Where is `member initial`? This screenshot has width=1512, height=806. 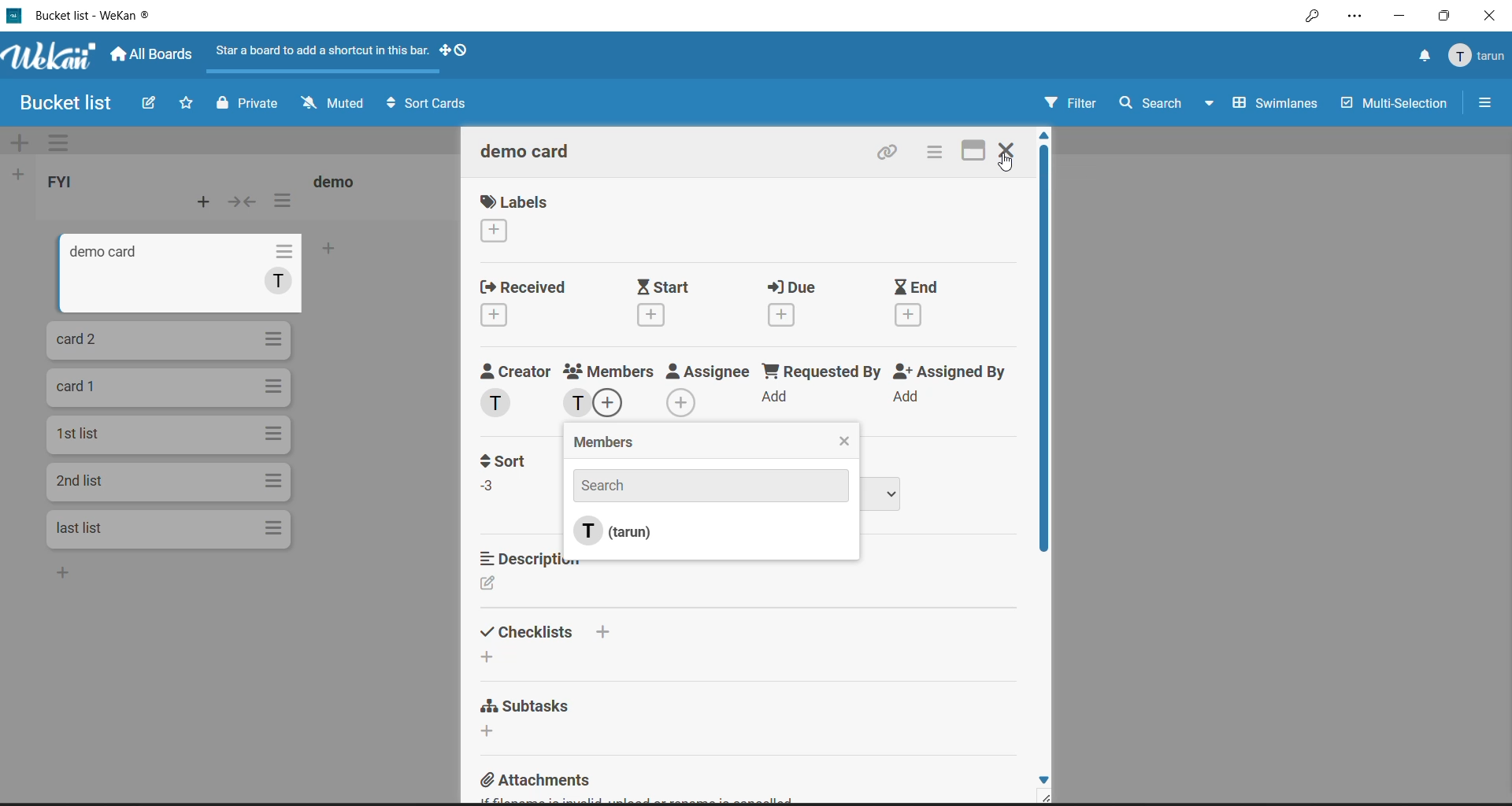
member initial is located at coordinates (576, 404).